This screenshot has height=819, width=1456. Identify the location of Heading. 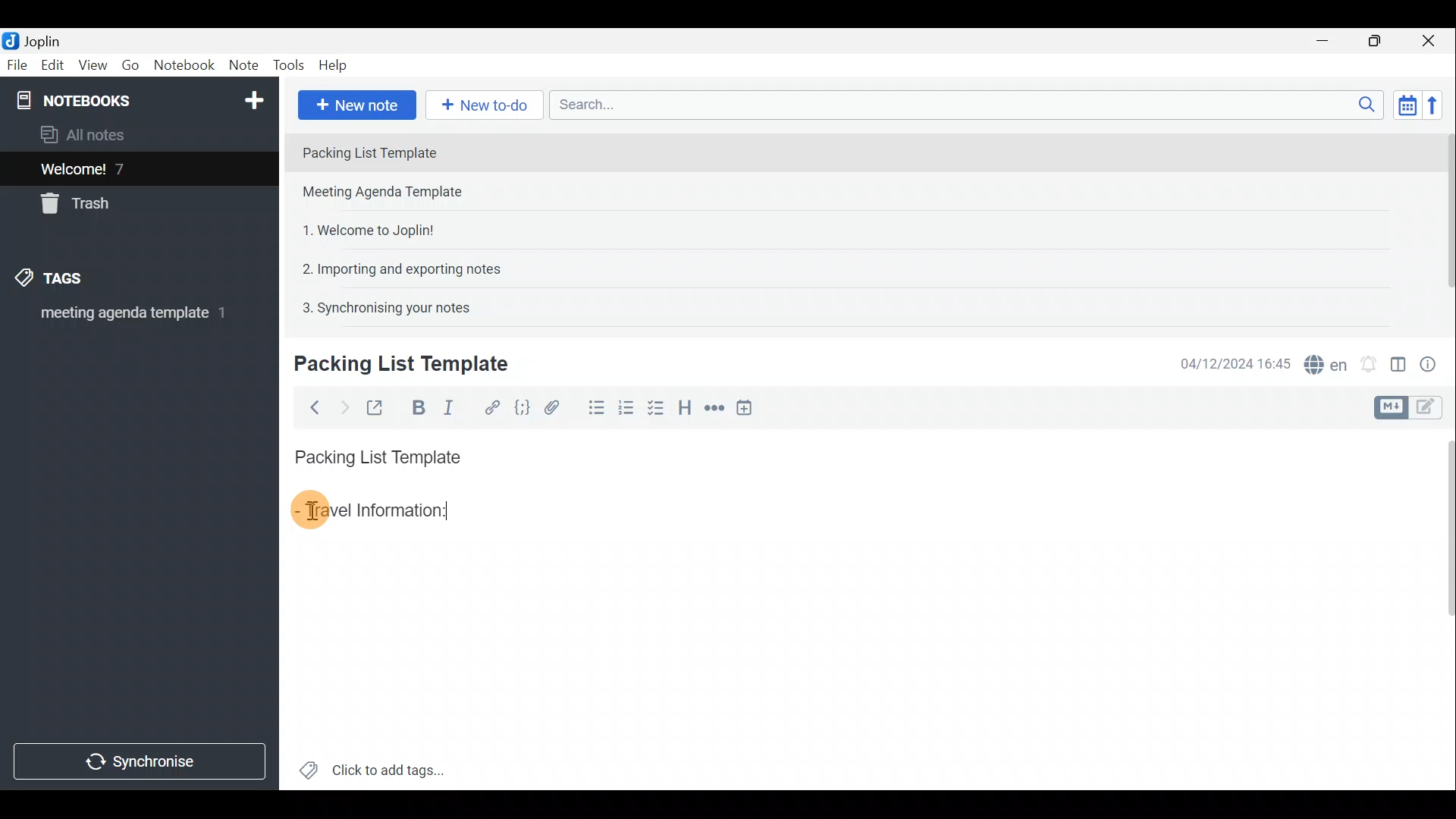
(686, 406).